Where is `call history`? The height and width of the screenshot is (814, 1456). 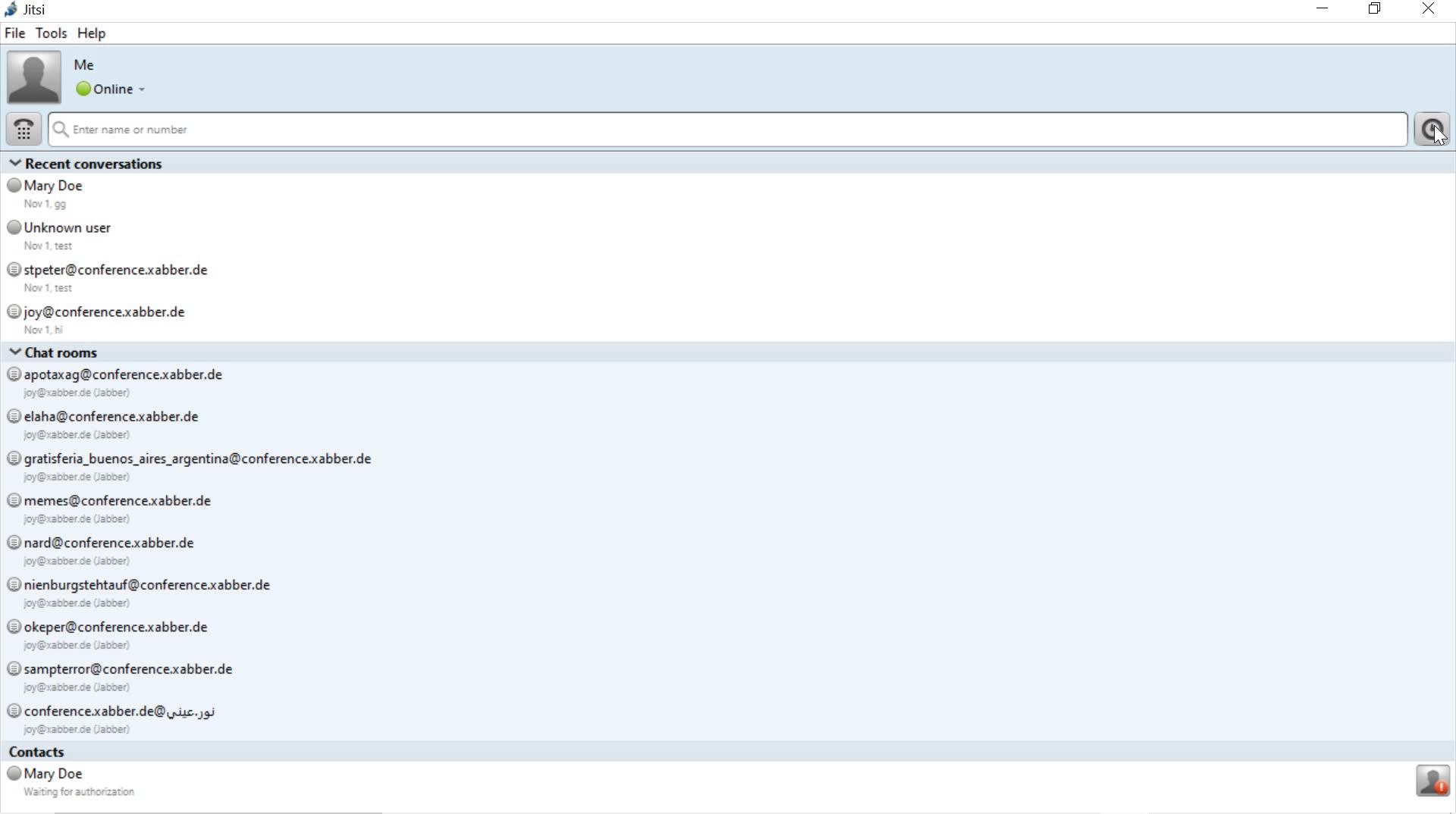 call history is located at coordinates (1430, 130).